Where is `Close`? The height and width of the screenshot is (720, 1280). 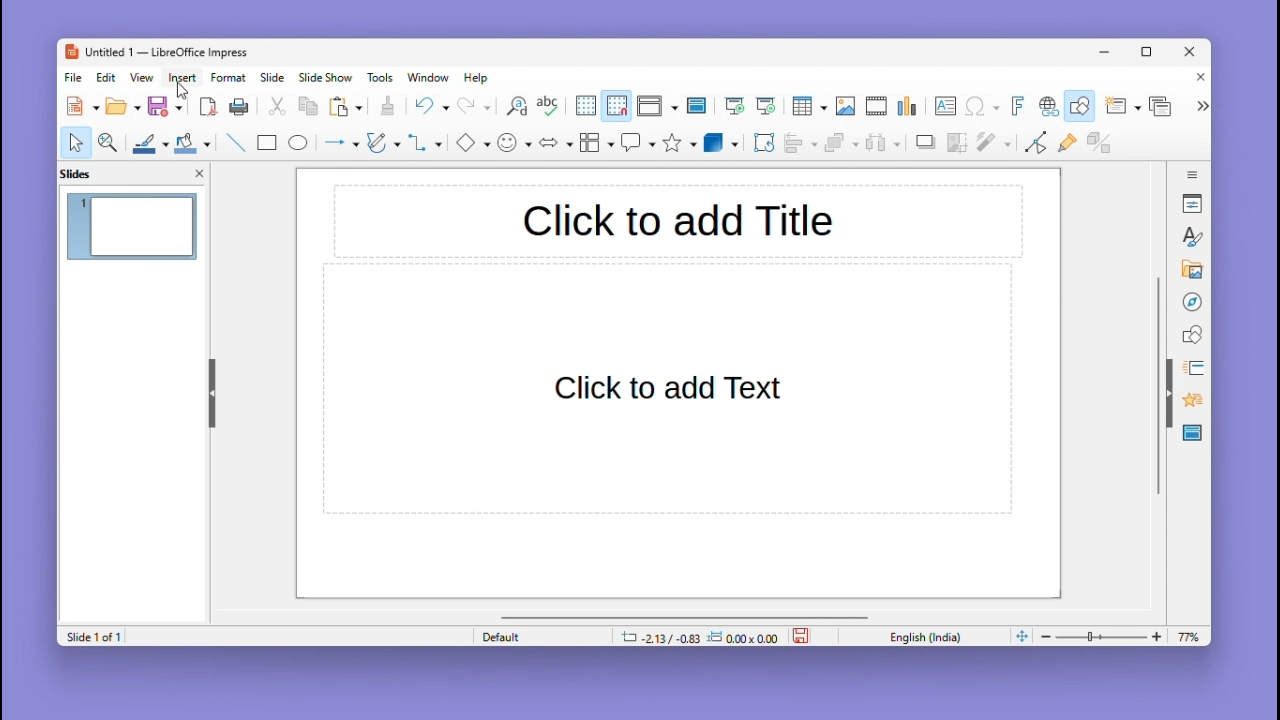
Close is located at coordinates (1191, 53).